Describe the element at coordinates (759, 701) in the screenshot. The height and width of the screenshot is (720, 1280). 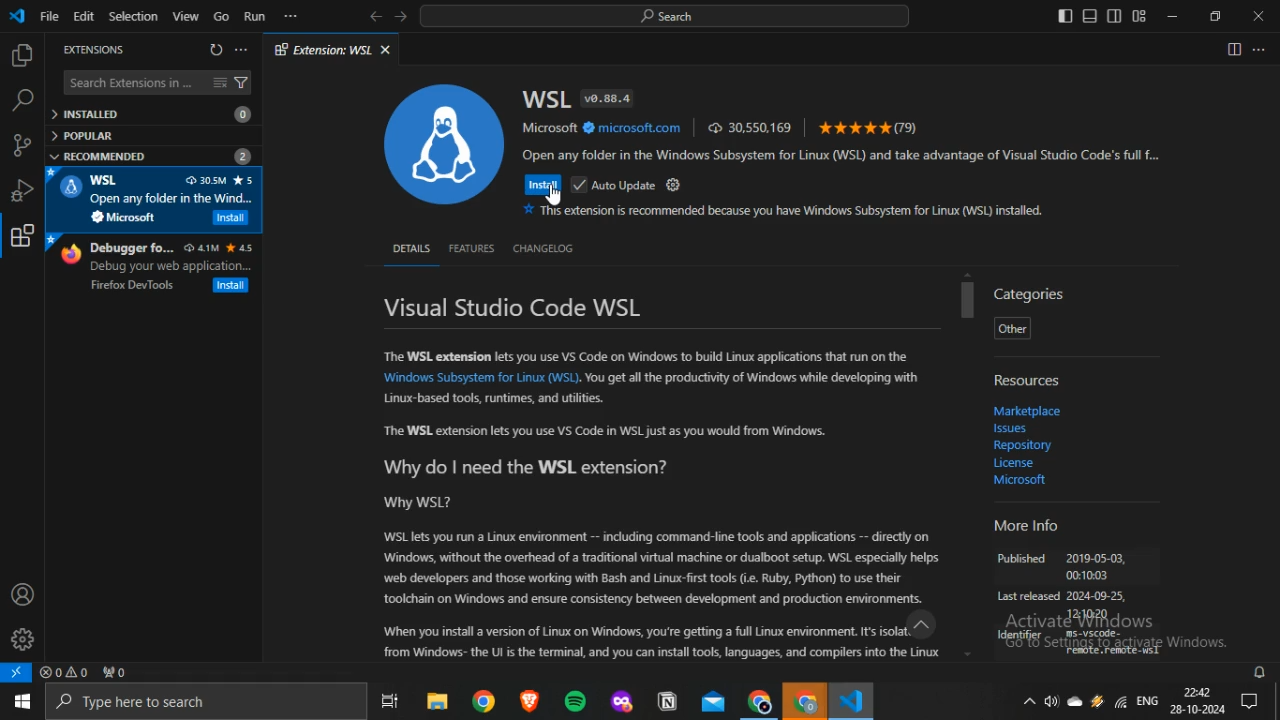
I see `Google Chrome` at that location.